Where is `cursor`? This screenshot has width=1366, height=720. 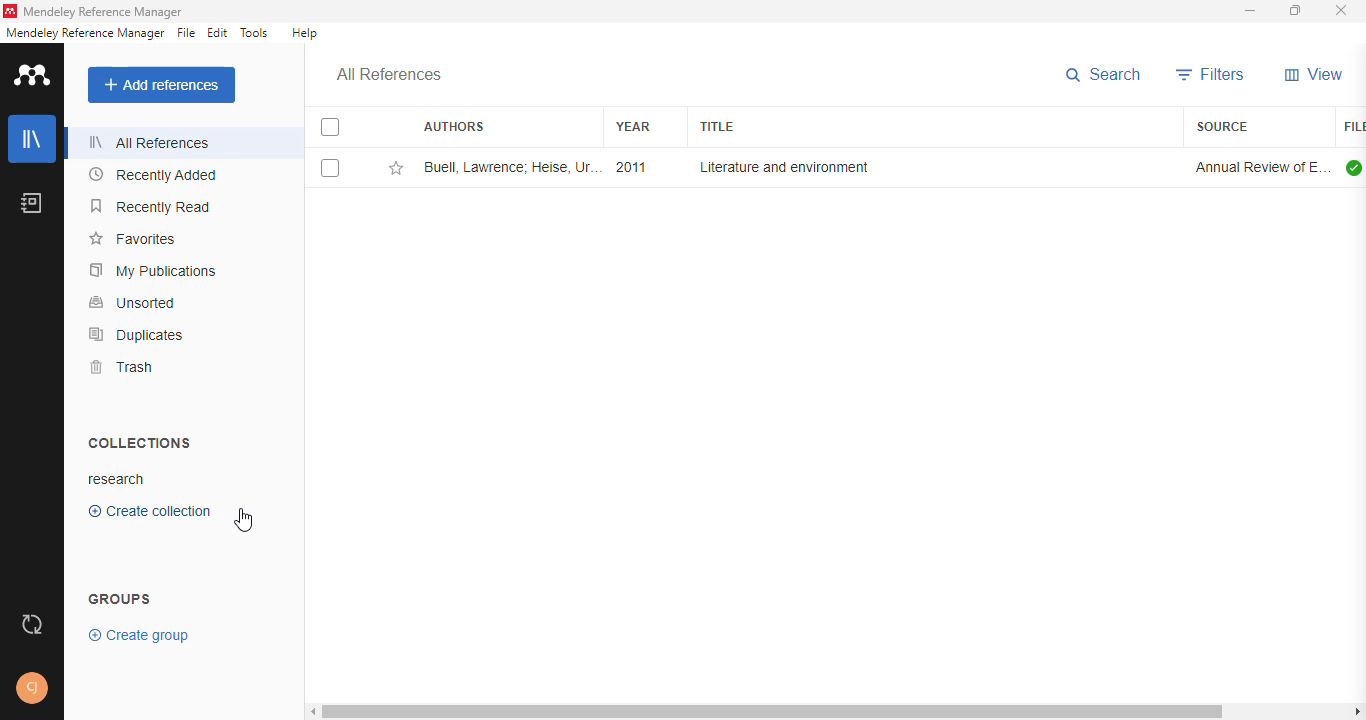 cursor is located at coordinates (244, 520).